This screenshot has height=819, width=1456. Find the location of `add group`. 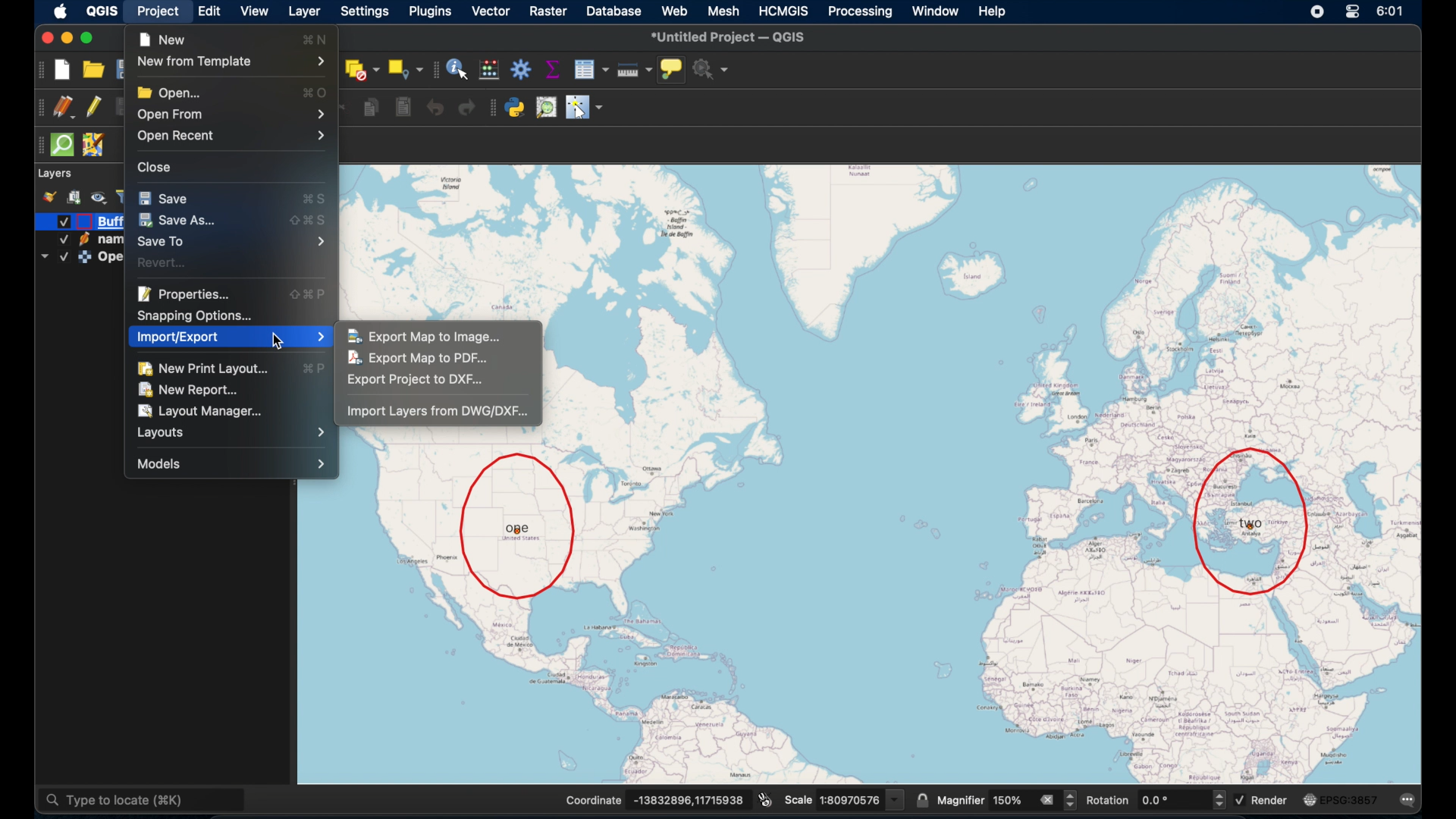

add group is located at coordinates (74, 197).